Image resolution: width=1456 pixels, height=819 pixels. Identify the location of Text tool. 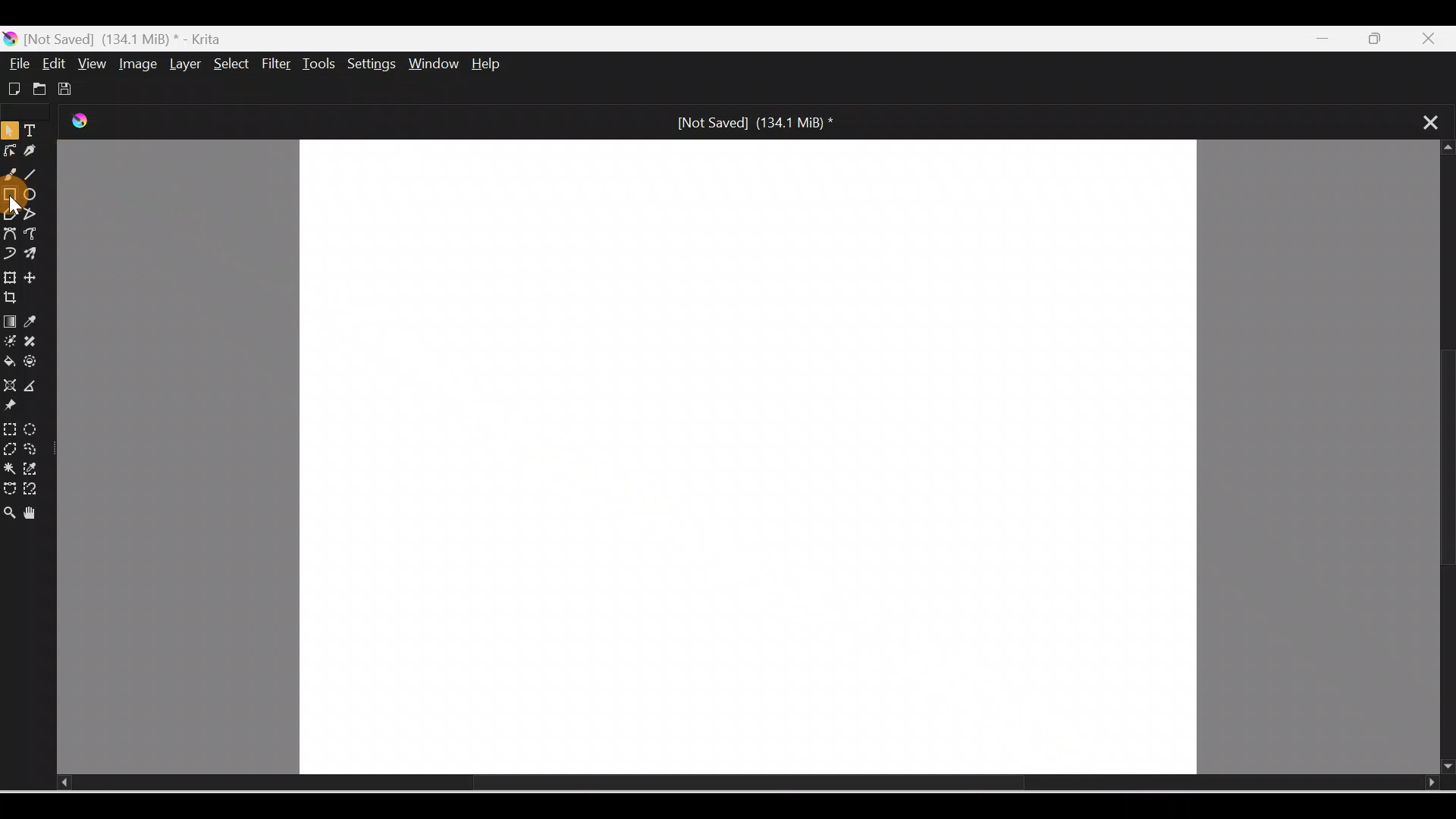
(33, 132).